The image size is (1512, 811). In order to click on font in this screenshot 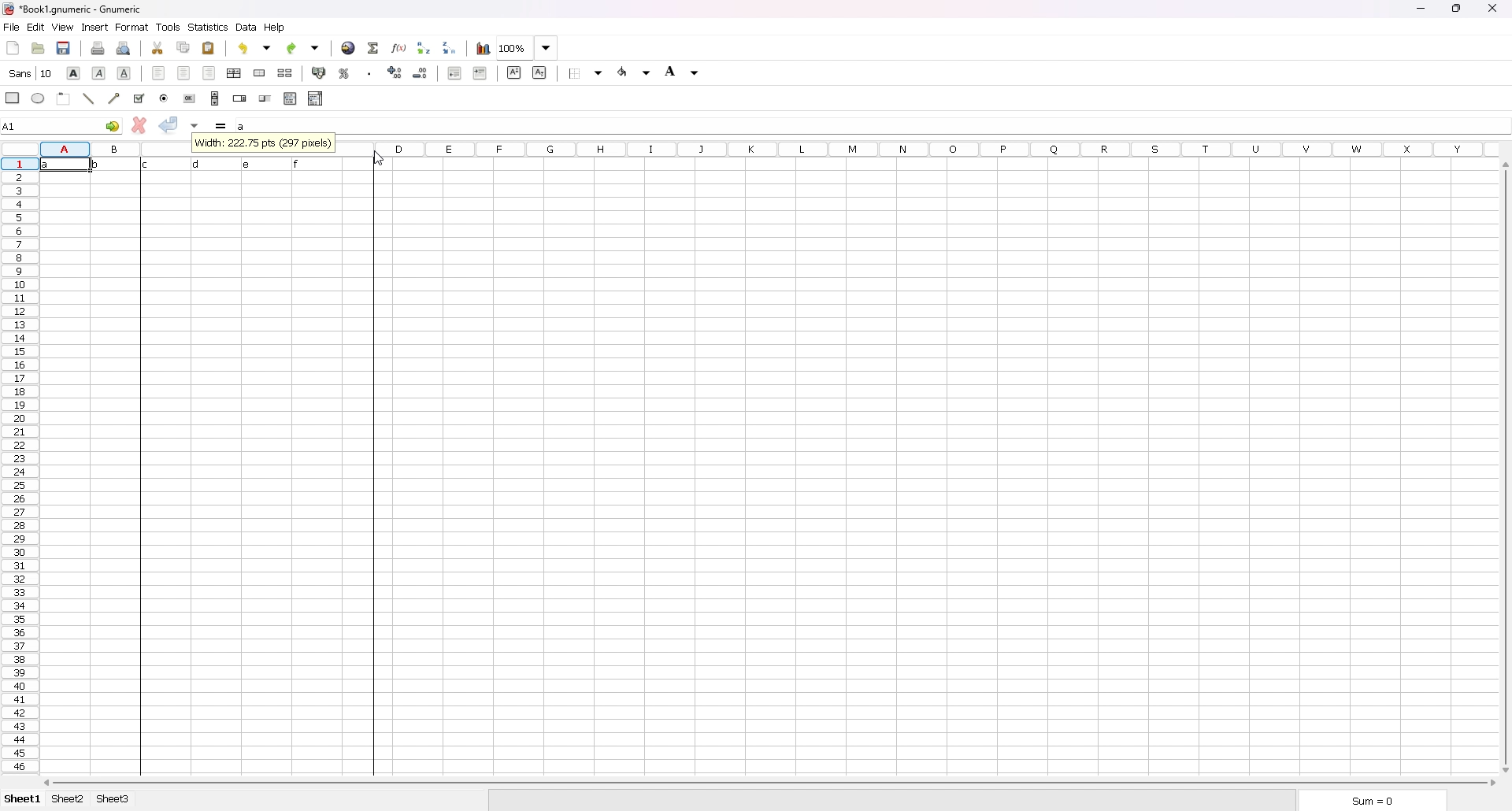, I will do `click(32, 72)`.